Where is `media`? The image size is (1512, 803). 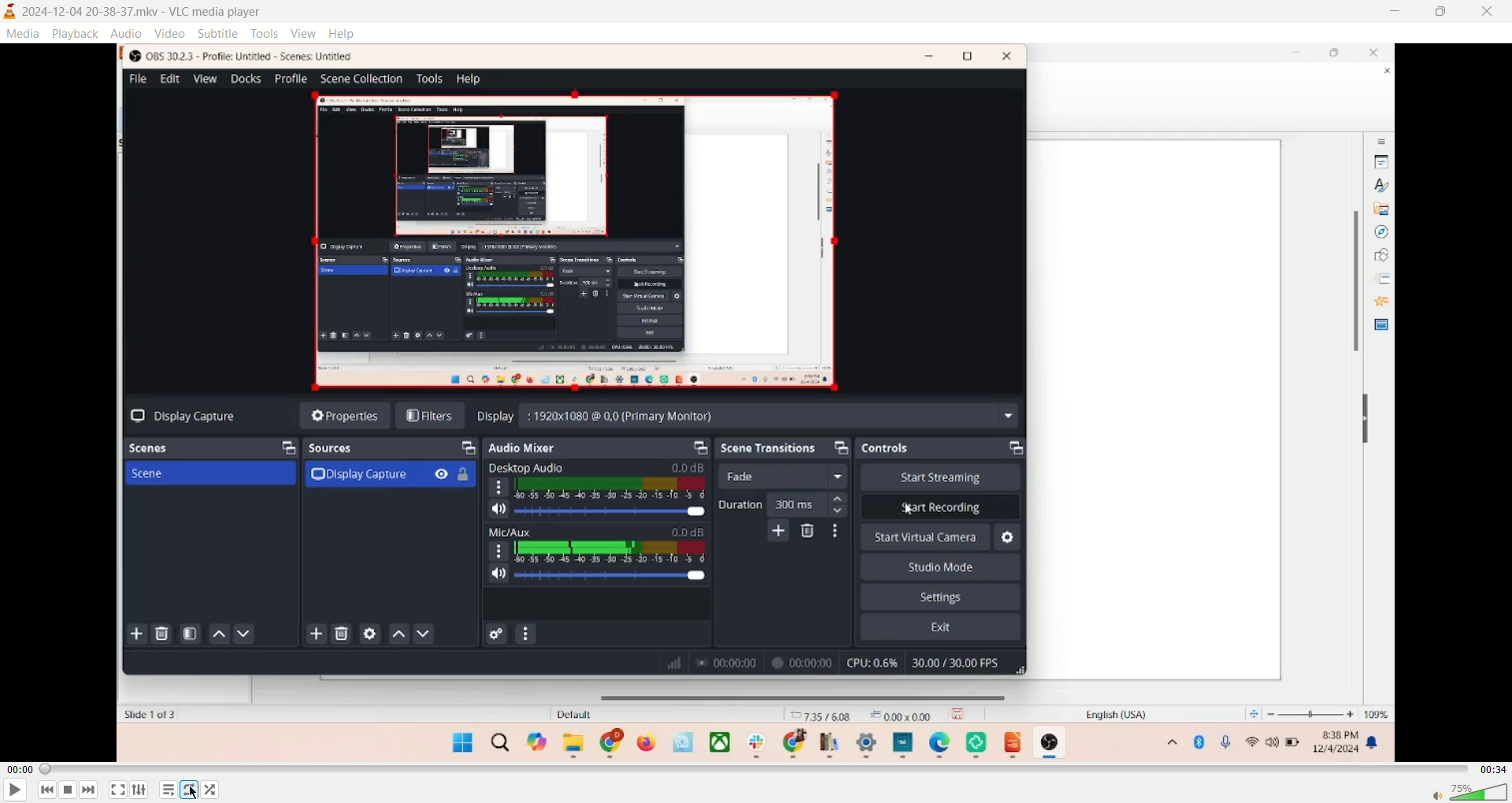
media is located at coordinates (22, 33).